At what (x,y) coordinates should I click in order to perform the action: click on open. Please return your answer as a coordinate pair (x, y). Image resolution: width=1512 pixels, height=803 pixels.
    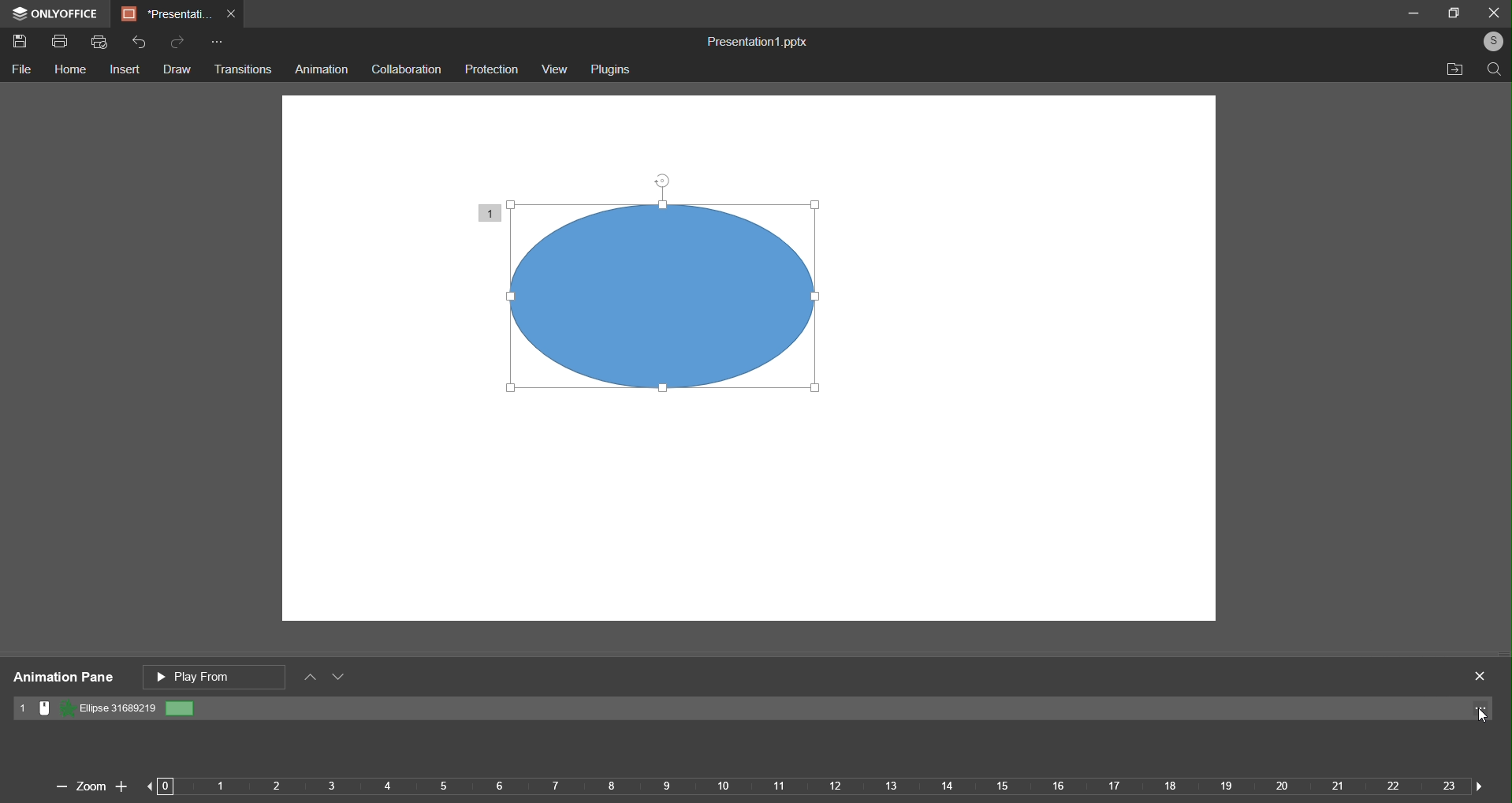
    Looking at the image, I should click on (1451, 70).